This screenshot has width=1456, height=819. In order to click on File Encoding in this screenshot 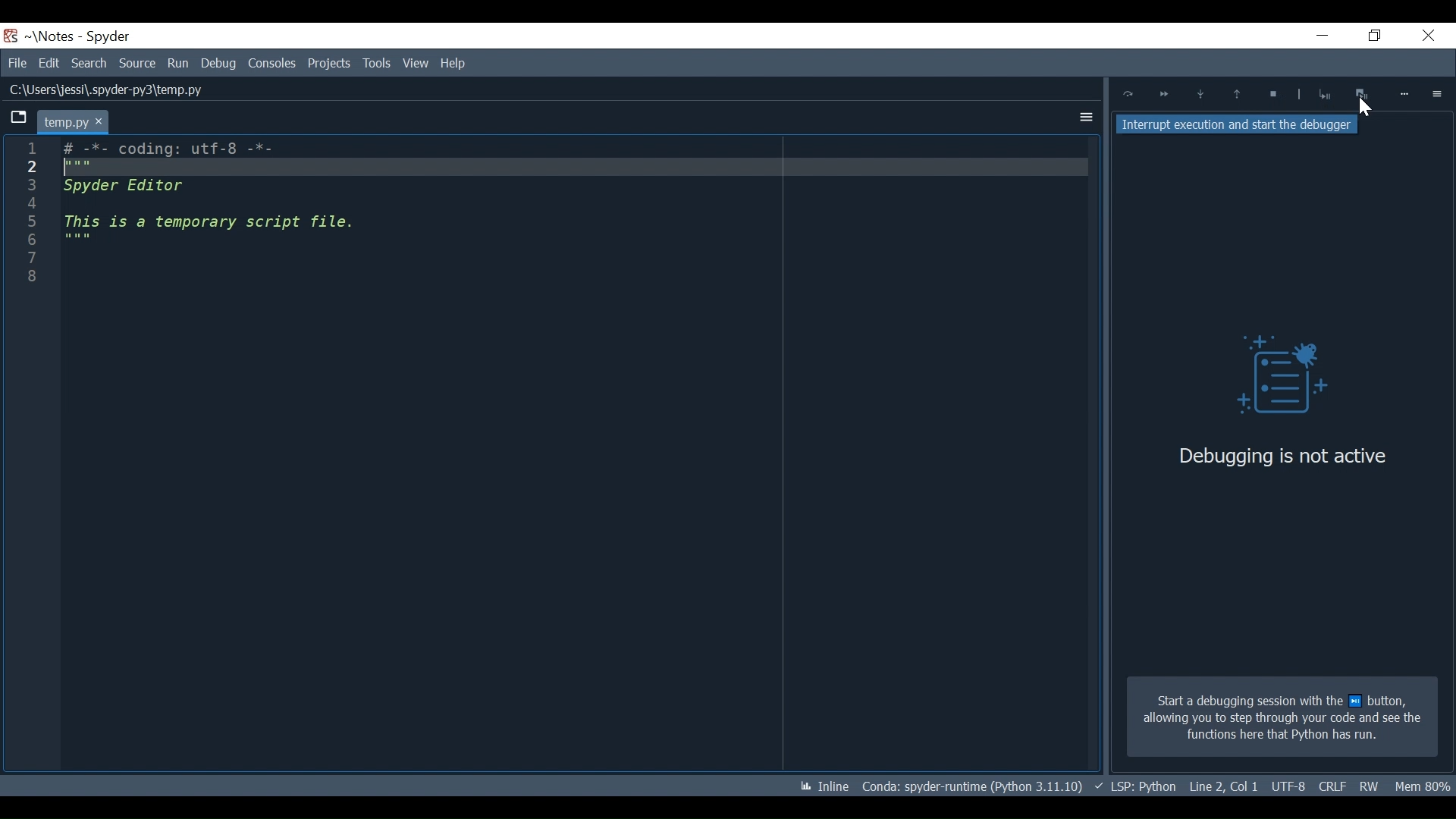, I will do `click(1332, 787)`.